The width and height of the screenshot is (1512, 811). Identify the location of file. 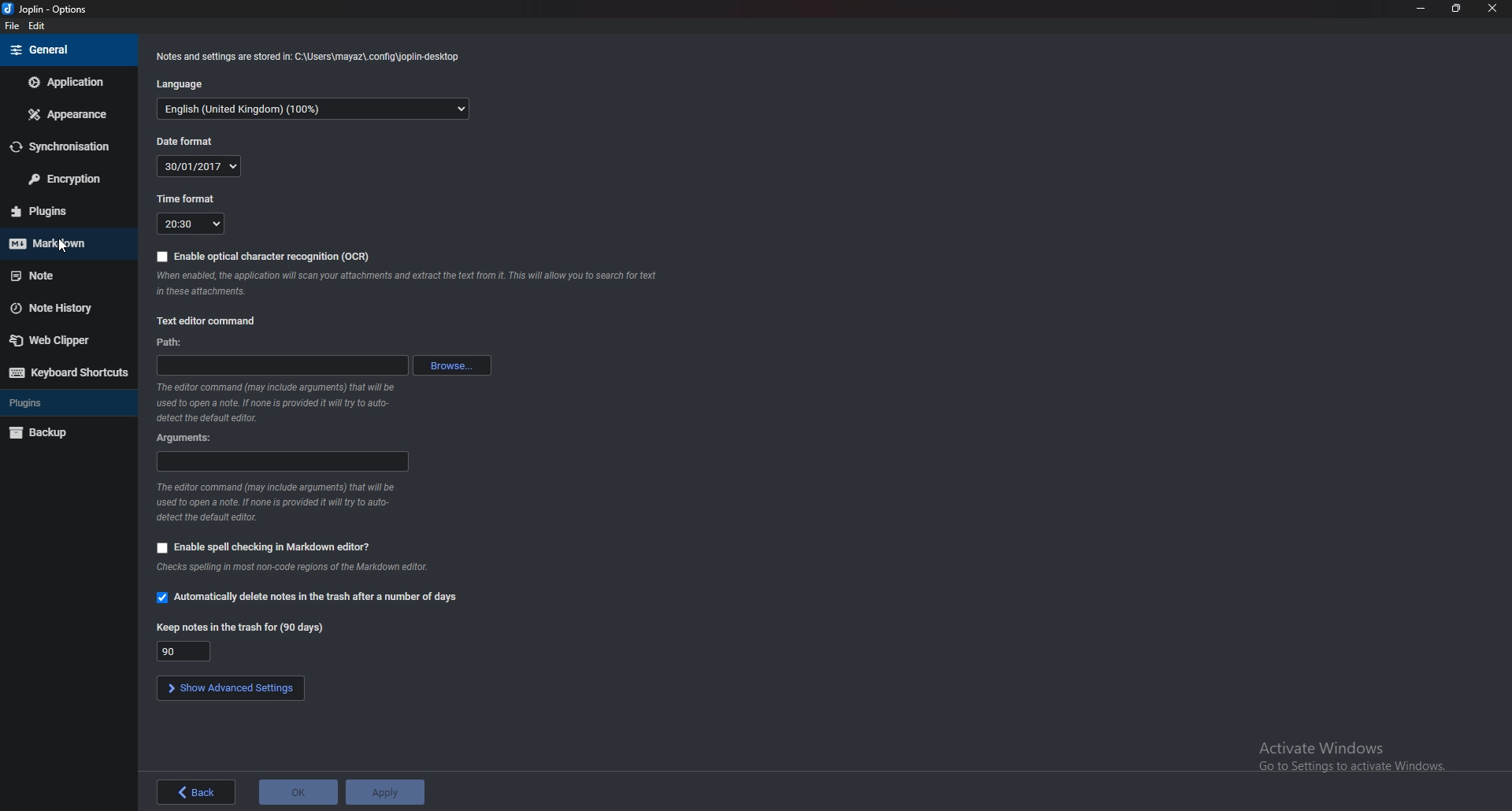
(11, 26).